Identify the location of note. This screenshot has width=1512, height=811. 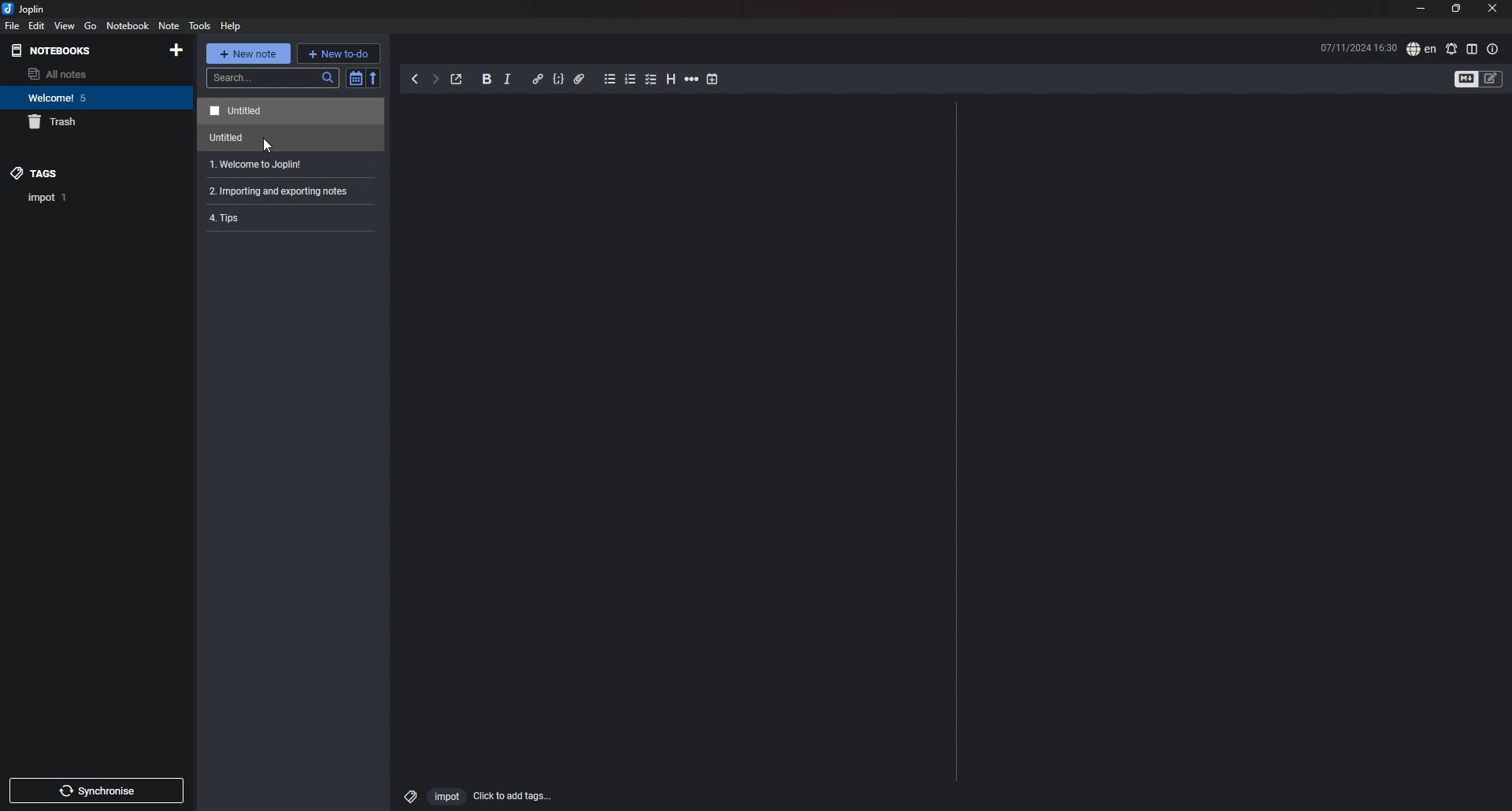
(293, 220).